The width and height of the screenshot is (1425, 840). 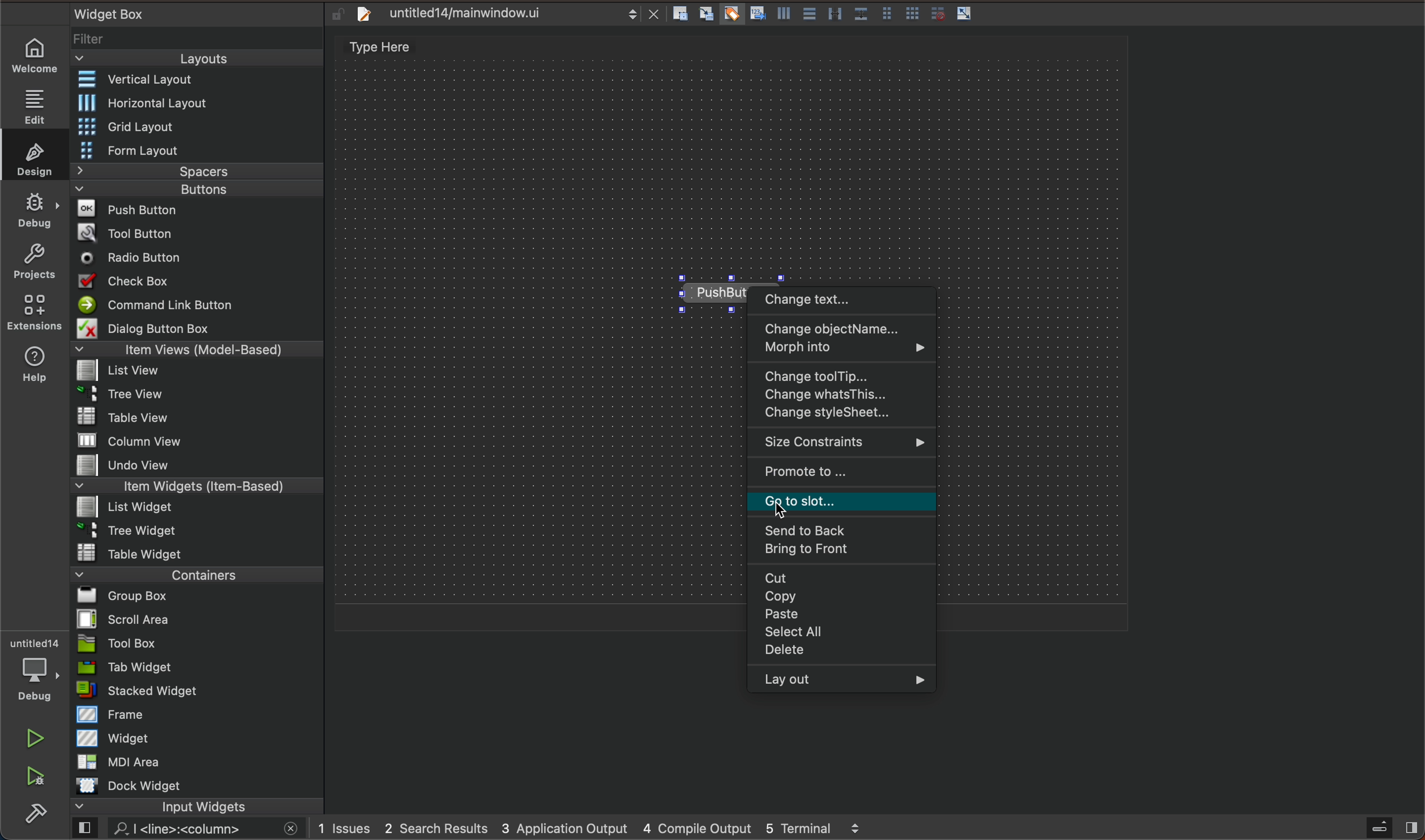 I want to click on input widget, so click(x=188, y=807).